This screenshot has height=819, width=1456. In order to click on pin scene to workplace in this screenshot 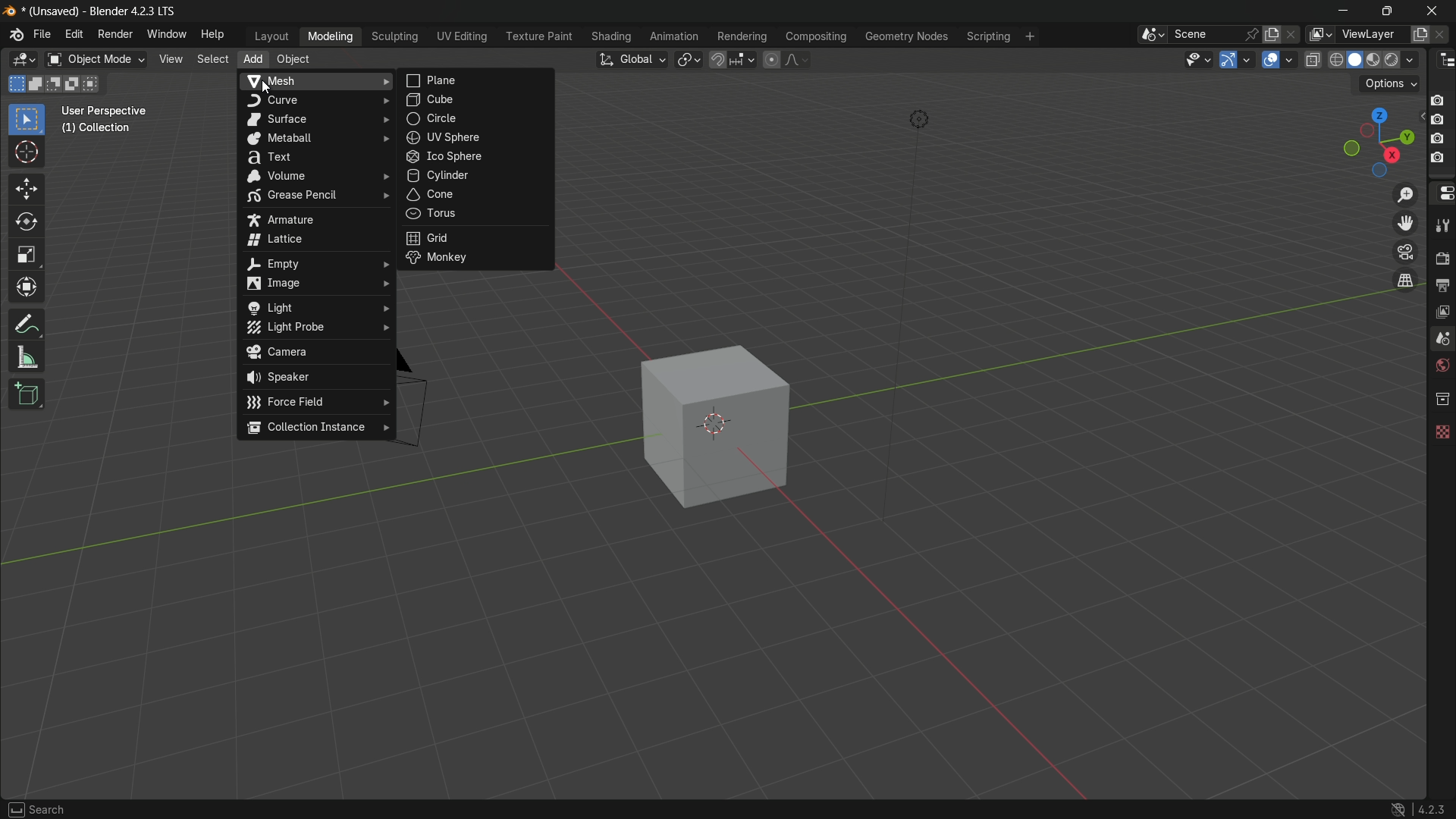, I will do `click(1253, 35)`.